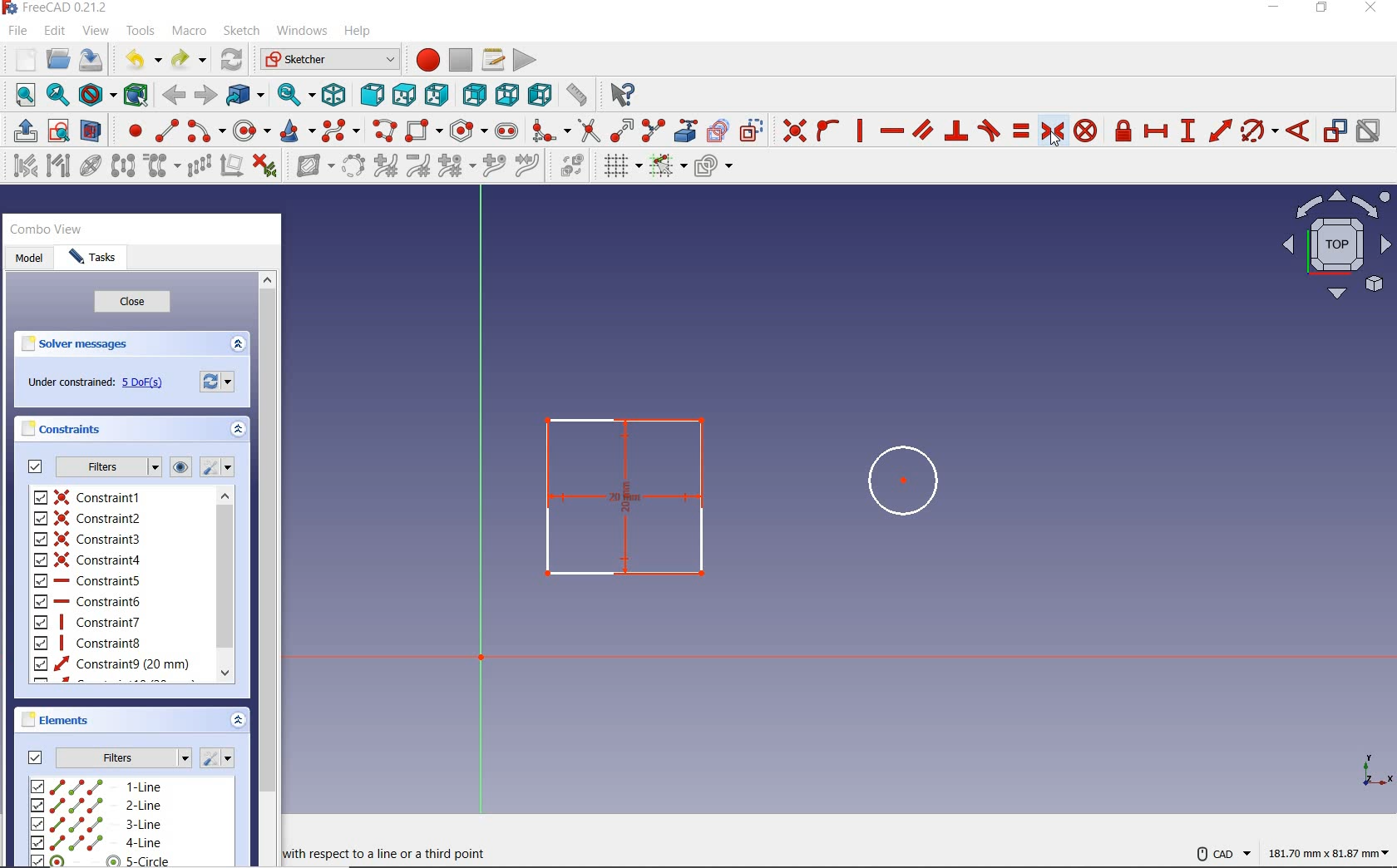  I want to click on stop macro recording, so click(462, 59).